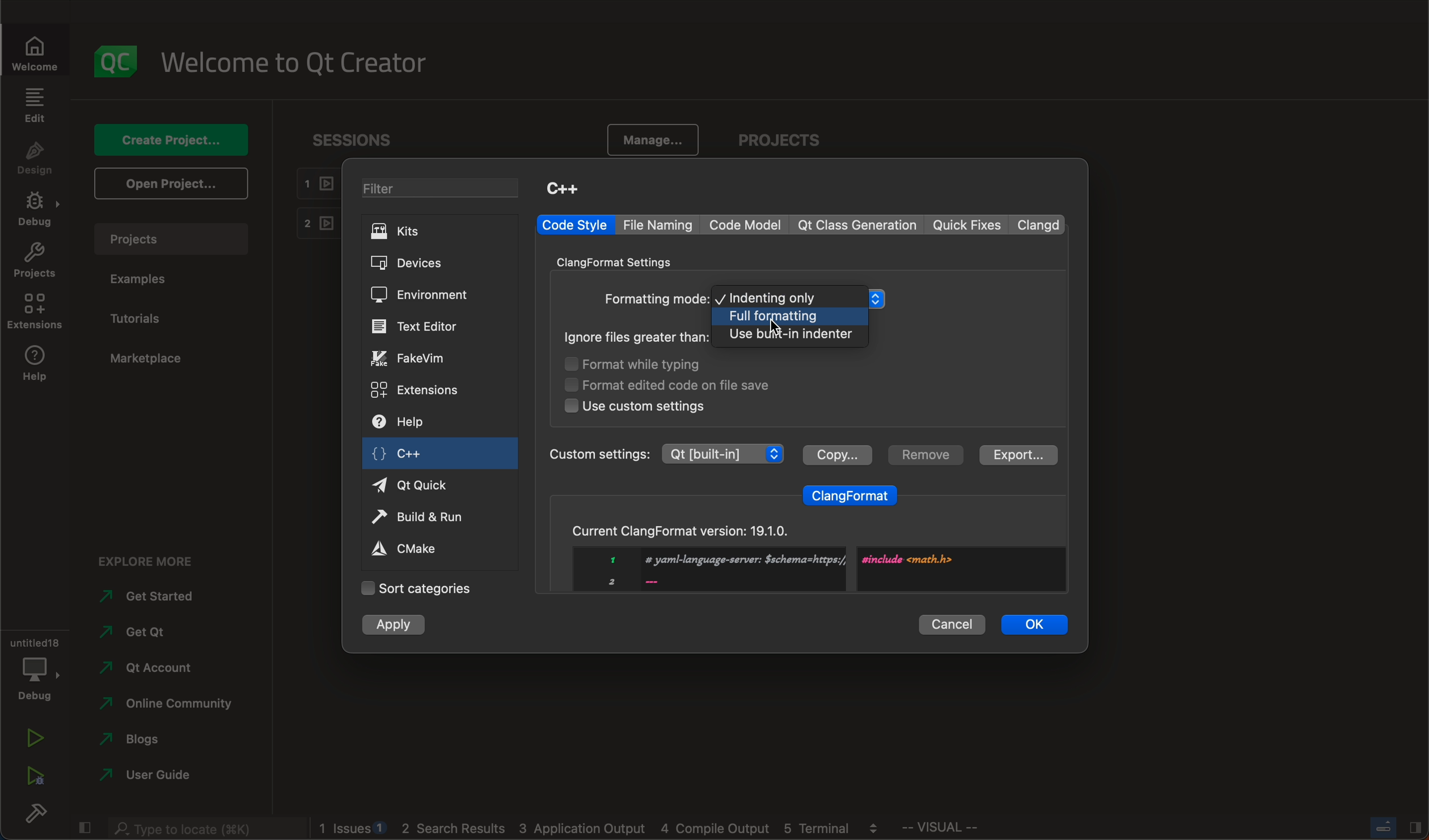 This screenshot has width=1429, height=840. I want to click on projects, so click(35, 263).